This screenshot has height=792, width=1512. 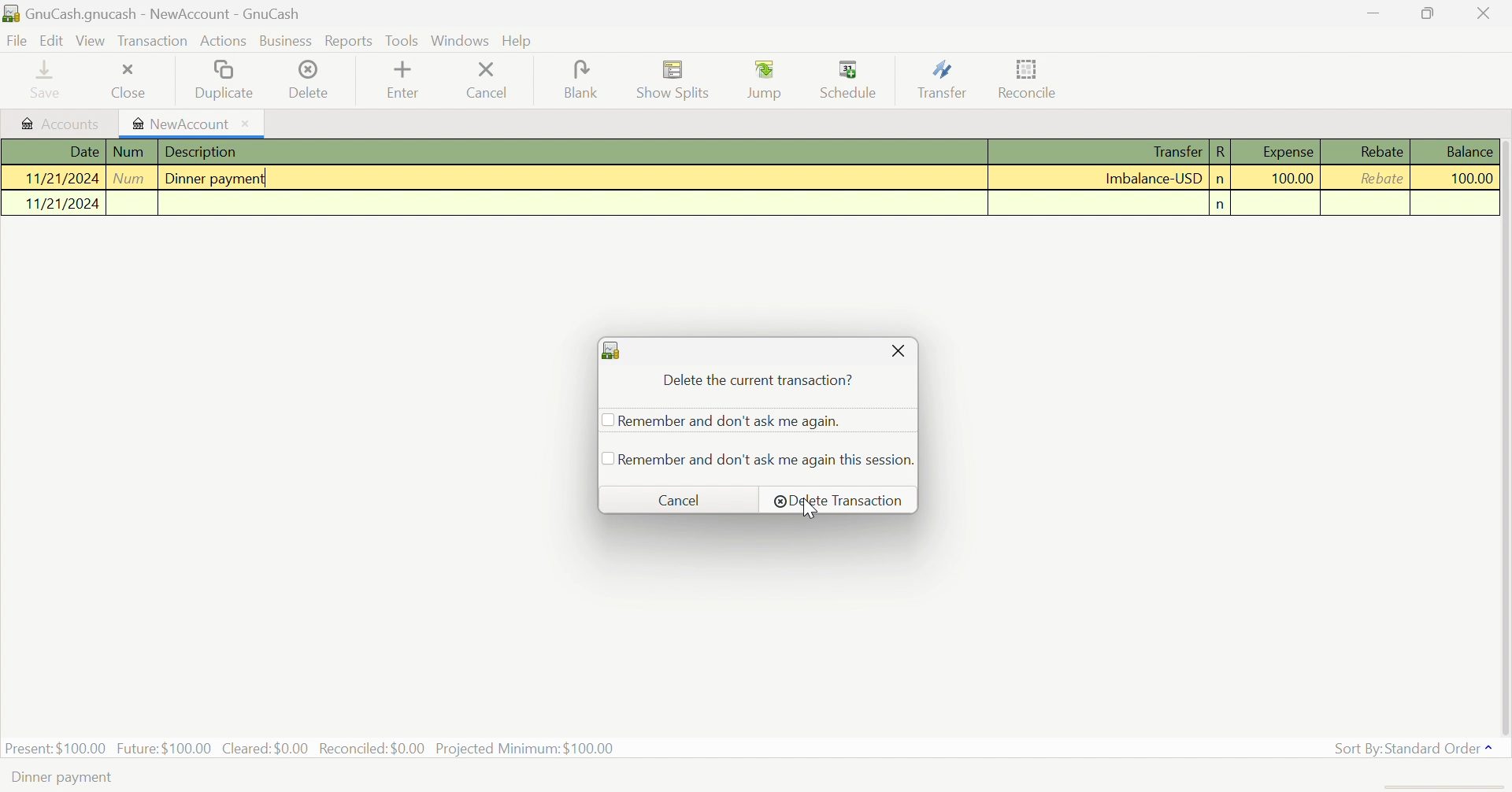 What do you see at coordinates (1220, 179) in the screenshot?
I see `n` at bounding box center [1220, 179].